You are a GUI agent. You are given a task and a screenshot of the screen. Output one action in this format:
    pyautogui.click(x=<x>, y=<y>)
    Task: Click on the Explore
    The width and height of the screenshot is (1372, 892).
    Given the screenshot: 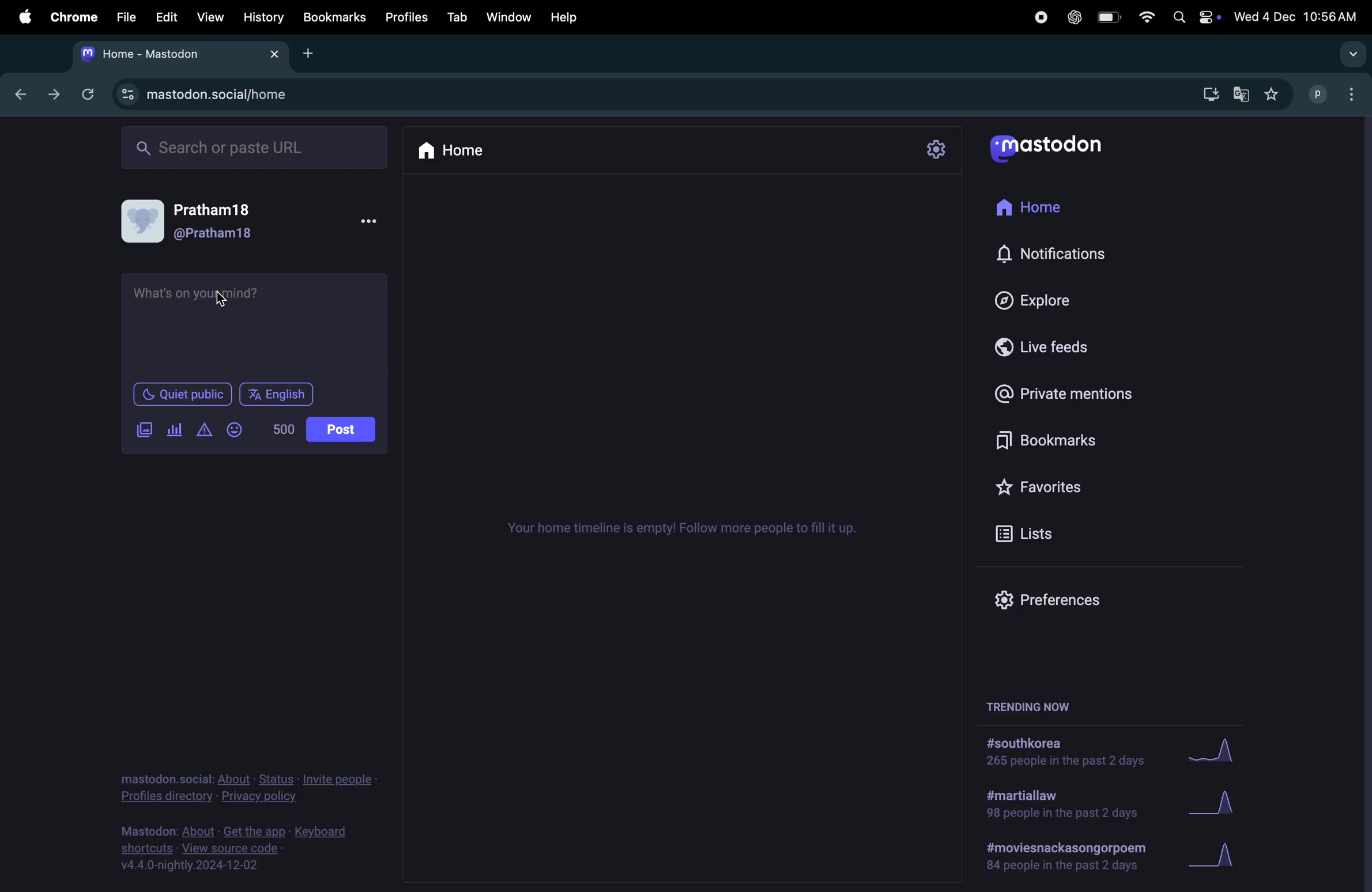 What is the action you would take?
    pyautogui.click(x=1041, y=300)
    